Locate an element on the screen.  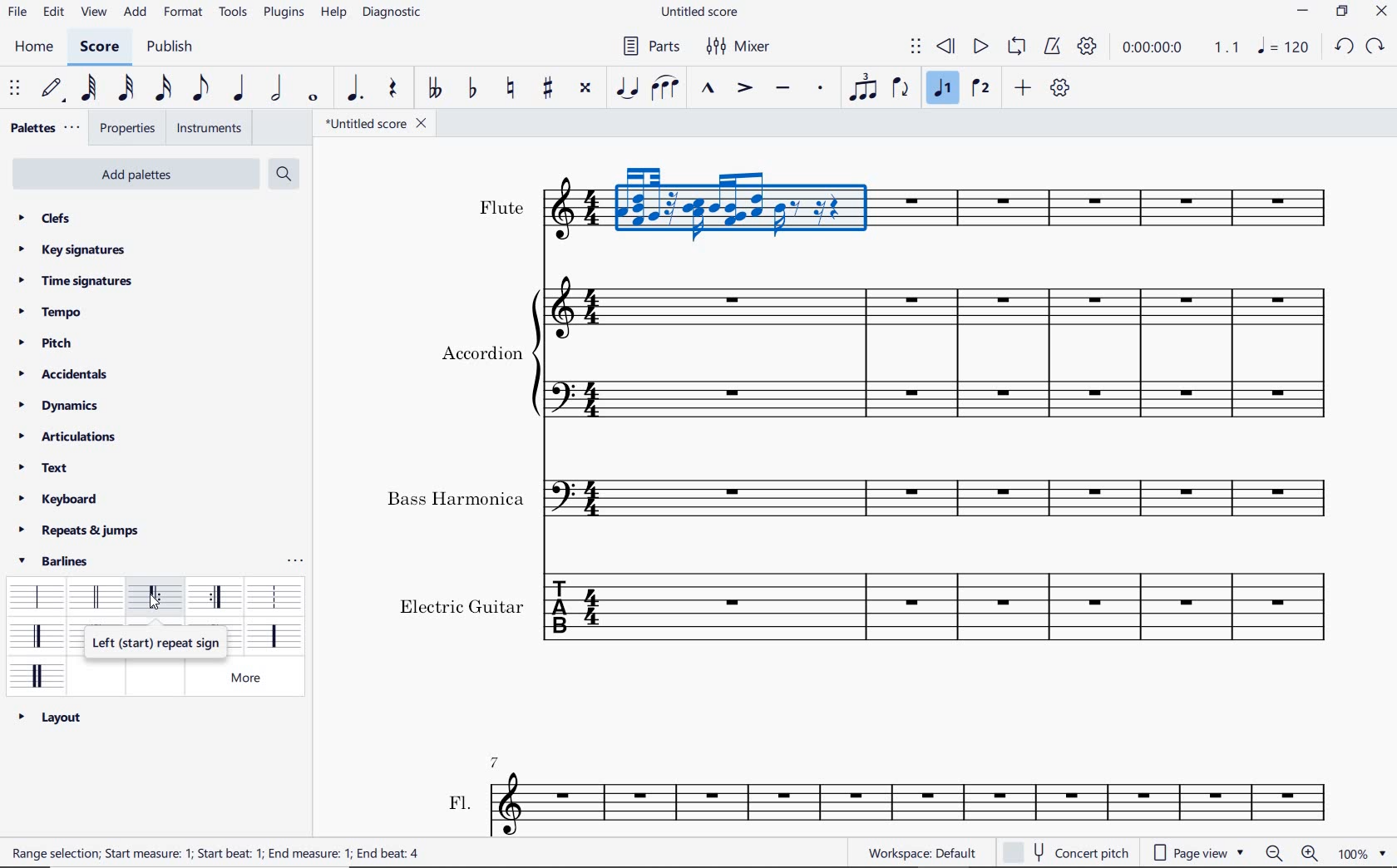
half note is located at coordinates (276, 89).